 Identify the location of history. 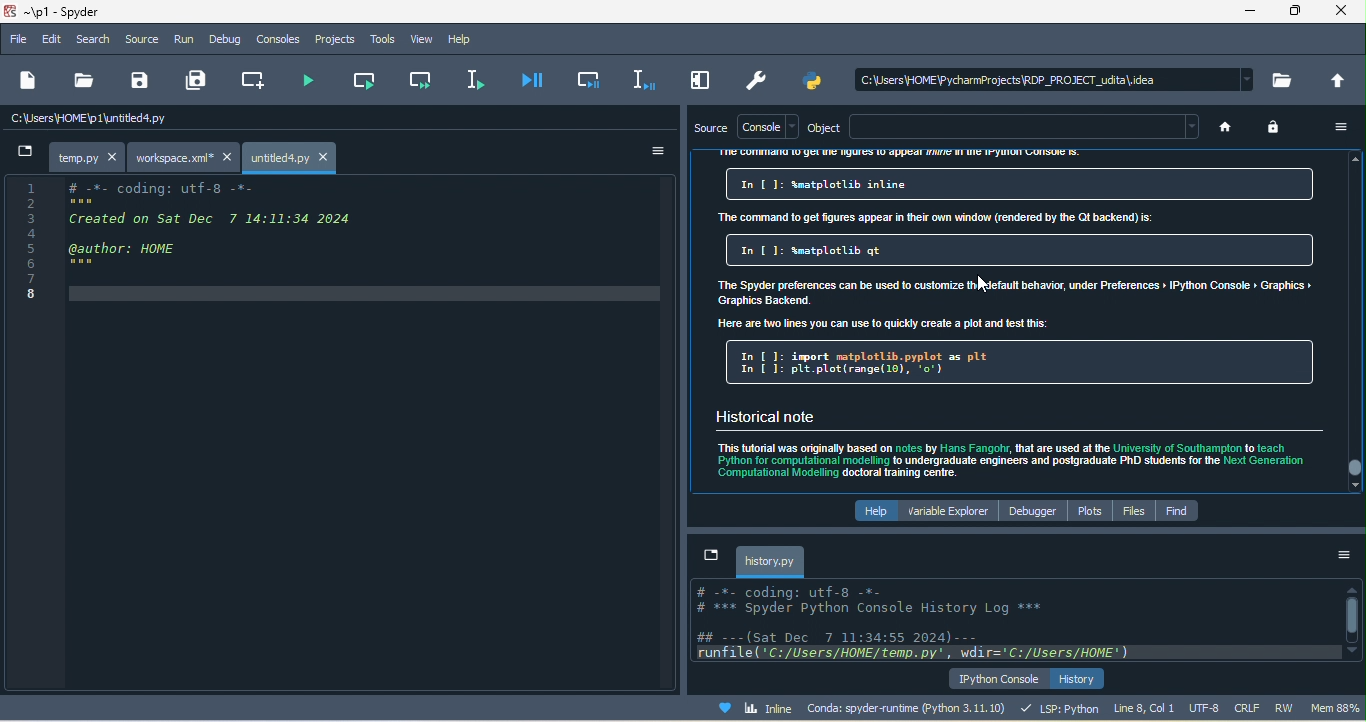
(761, 560).